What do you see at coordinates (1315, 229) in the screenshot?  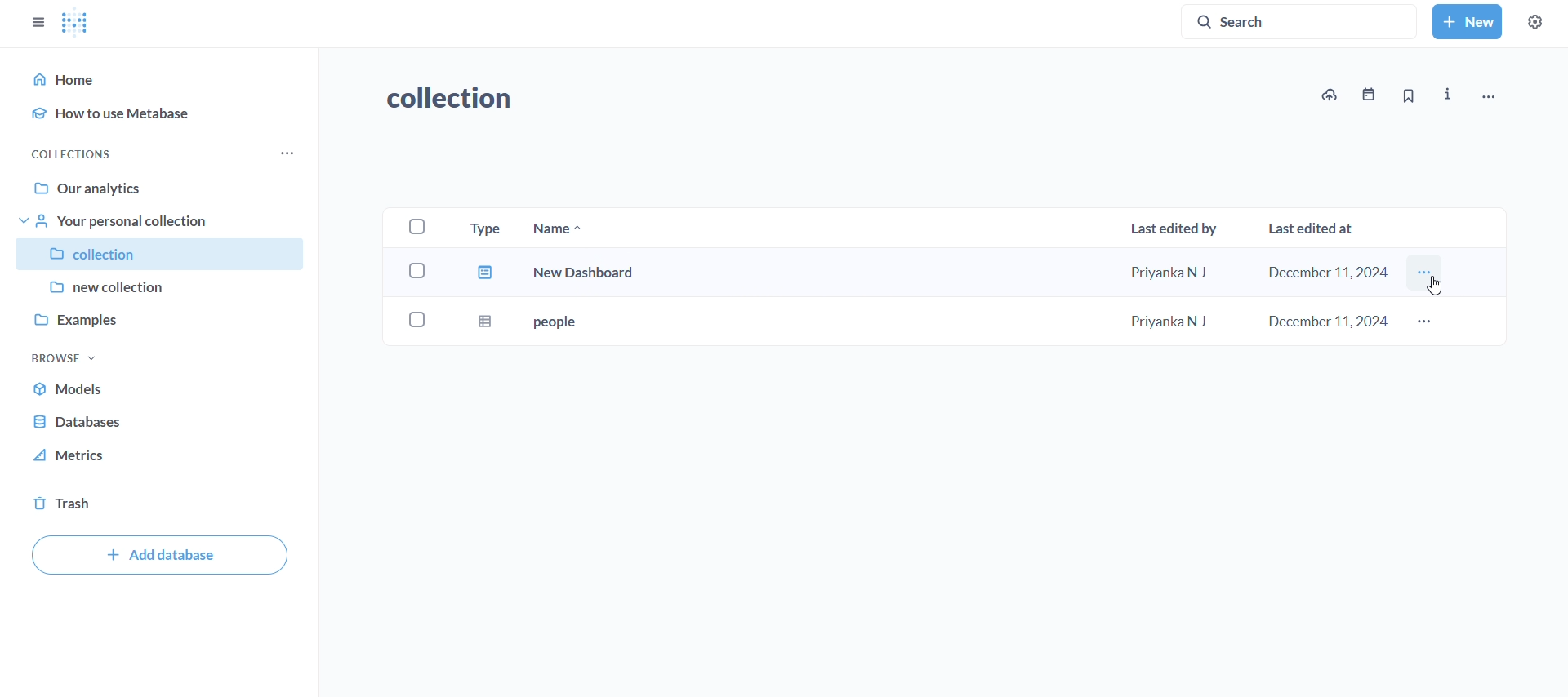 I see `last edited at` at bounding box center [1315, 229].